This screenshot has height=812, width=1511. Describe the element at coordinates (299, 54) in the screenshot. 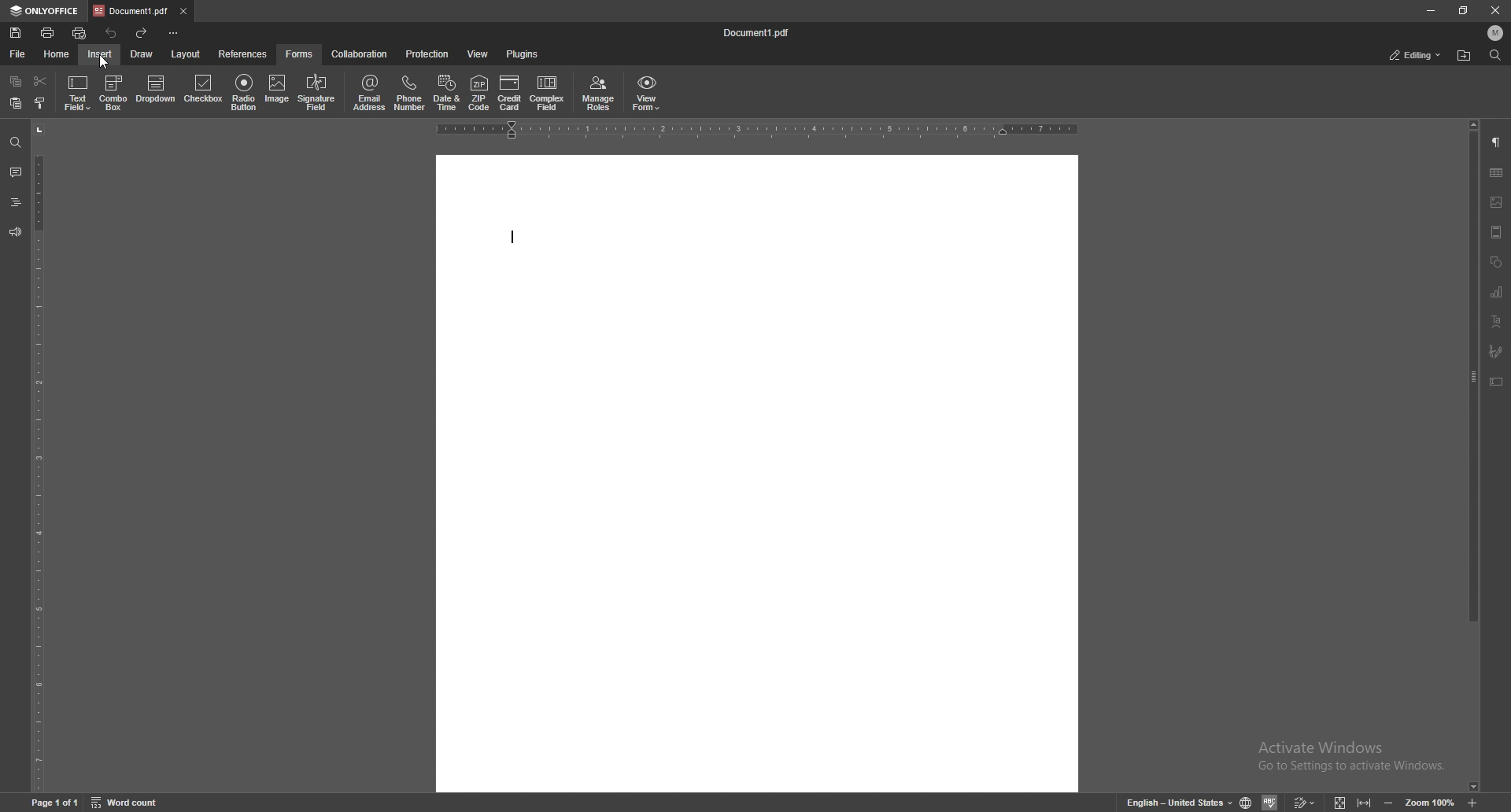

I see `forms` at that location.